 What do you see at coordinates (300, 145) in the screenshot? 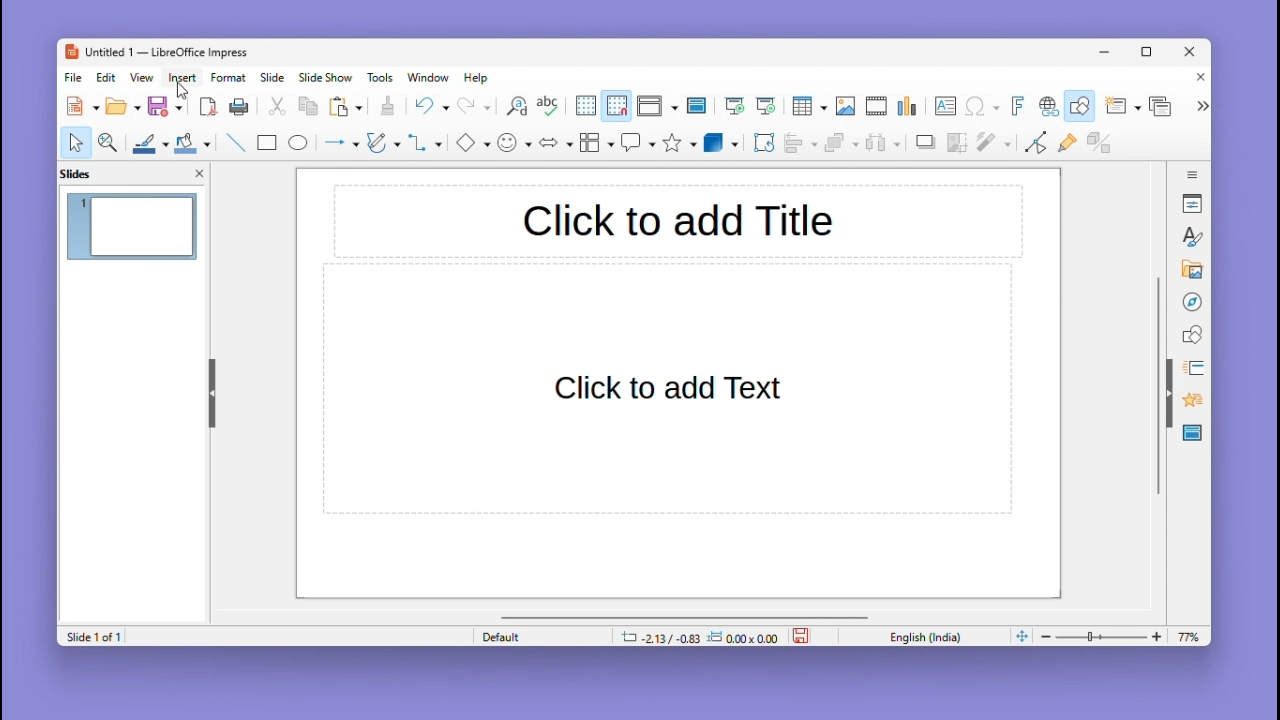
I see `Circle` at bounding box center [300, 145].